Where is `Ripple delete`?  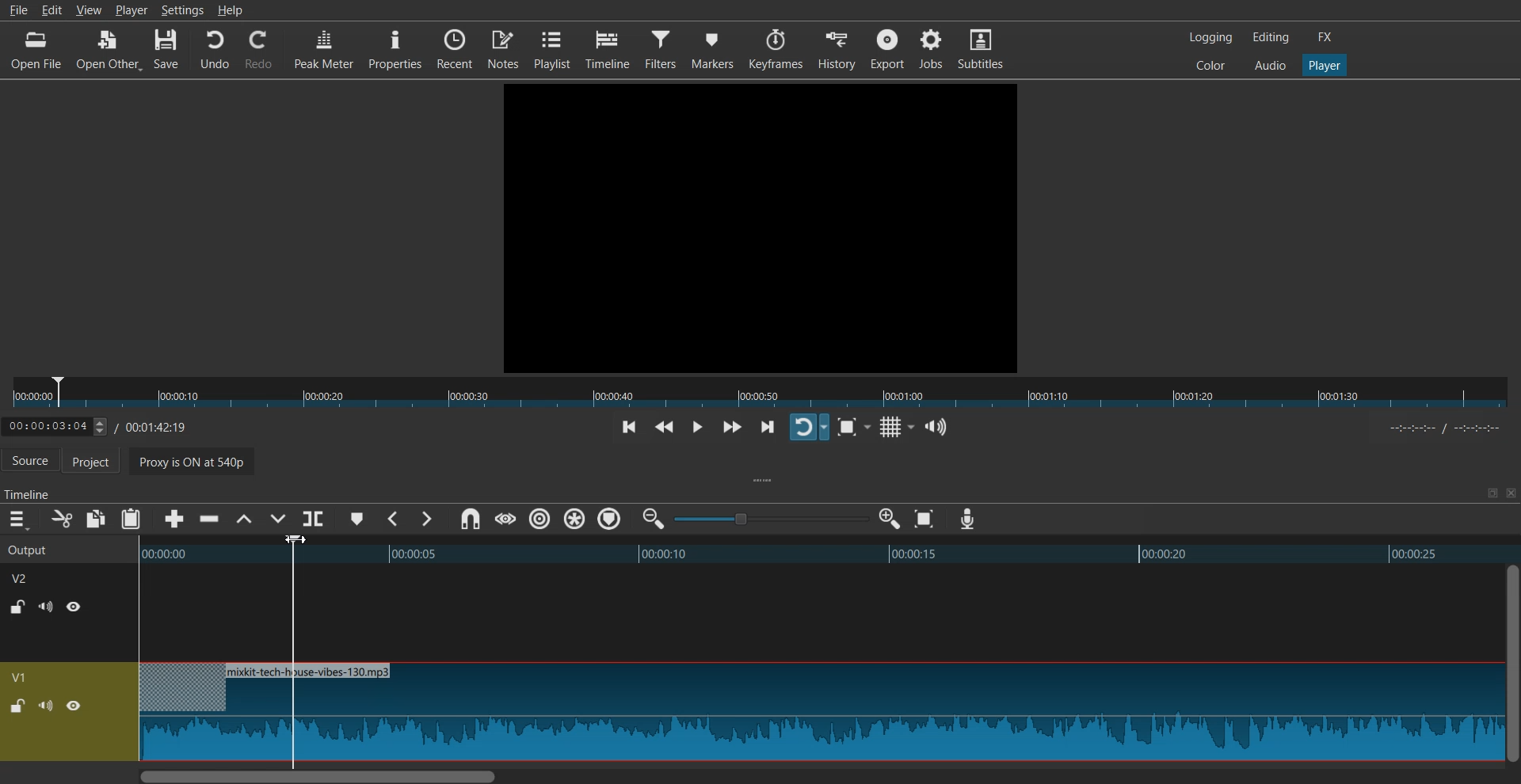
Ripple delete is located at coordinates (210, 519).